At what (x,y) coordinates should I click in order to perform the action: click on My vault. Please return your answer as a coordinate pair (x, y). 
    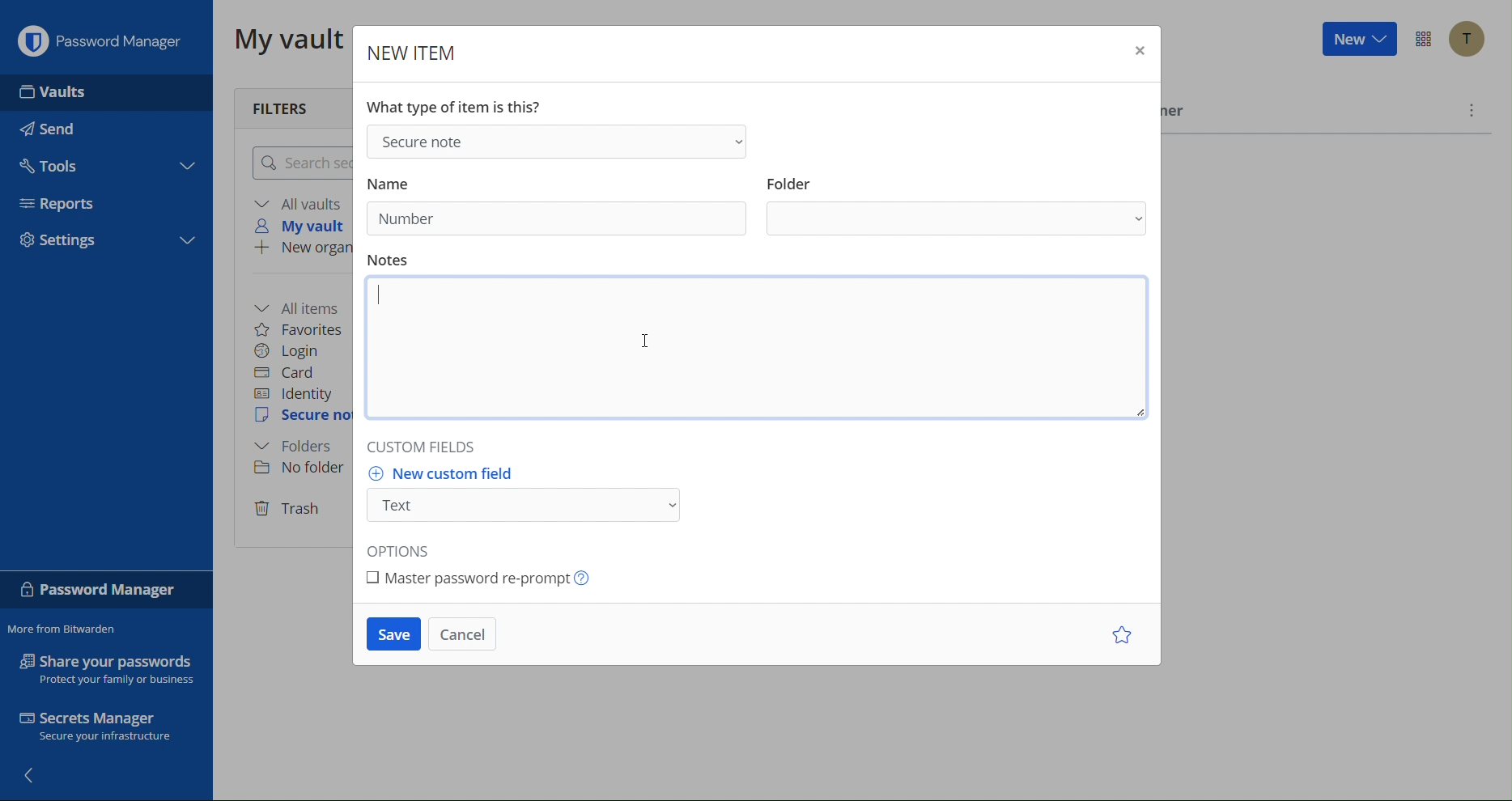
    Looking at the image, I should click on (283, 40).